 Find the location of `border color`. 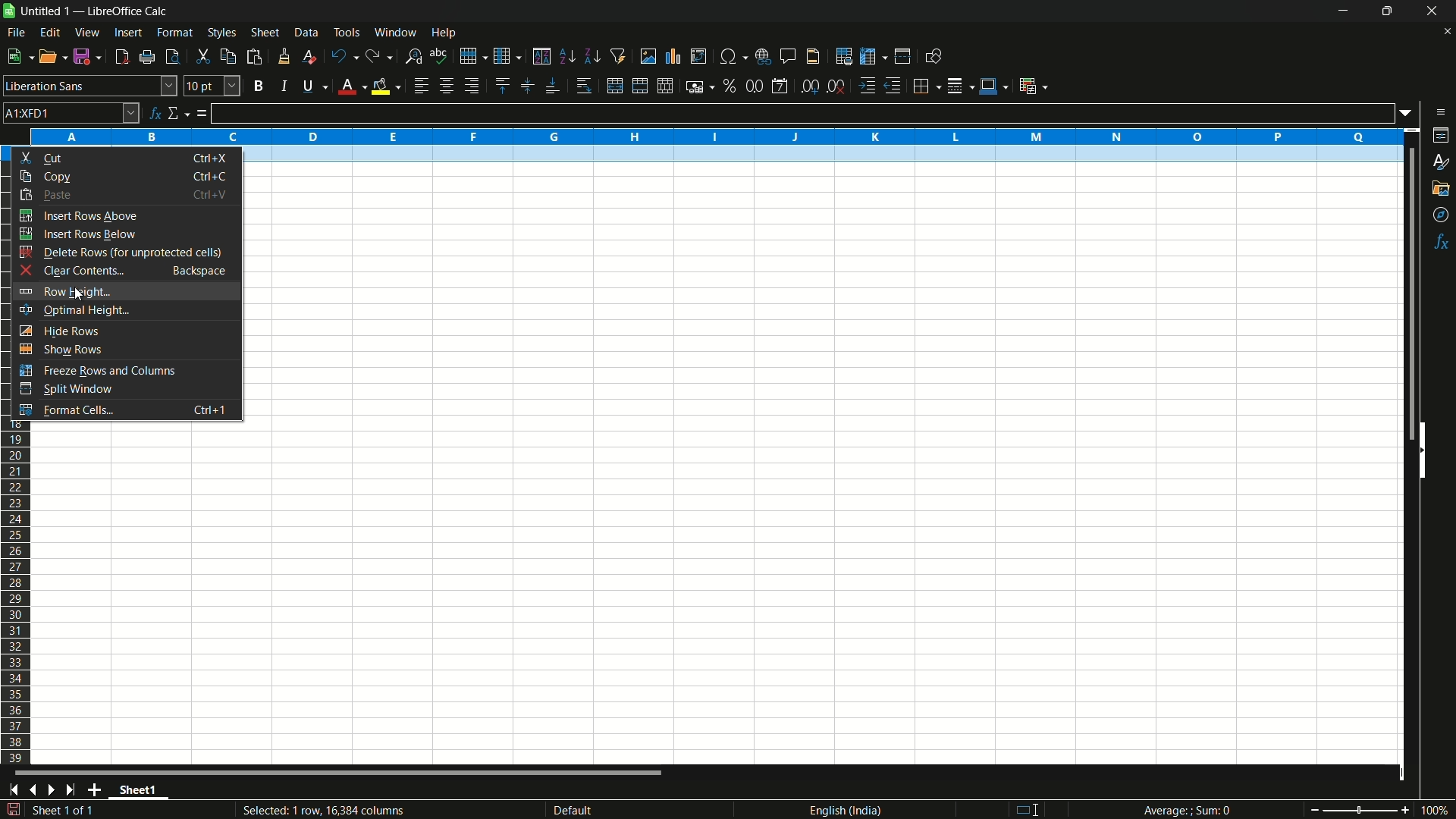

border color is located at coordinates (993, 83).